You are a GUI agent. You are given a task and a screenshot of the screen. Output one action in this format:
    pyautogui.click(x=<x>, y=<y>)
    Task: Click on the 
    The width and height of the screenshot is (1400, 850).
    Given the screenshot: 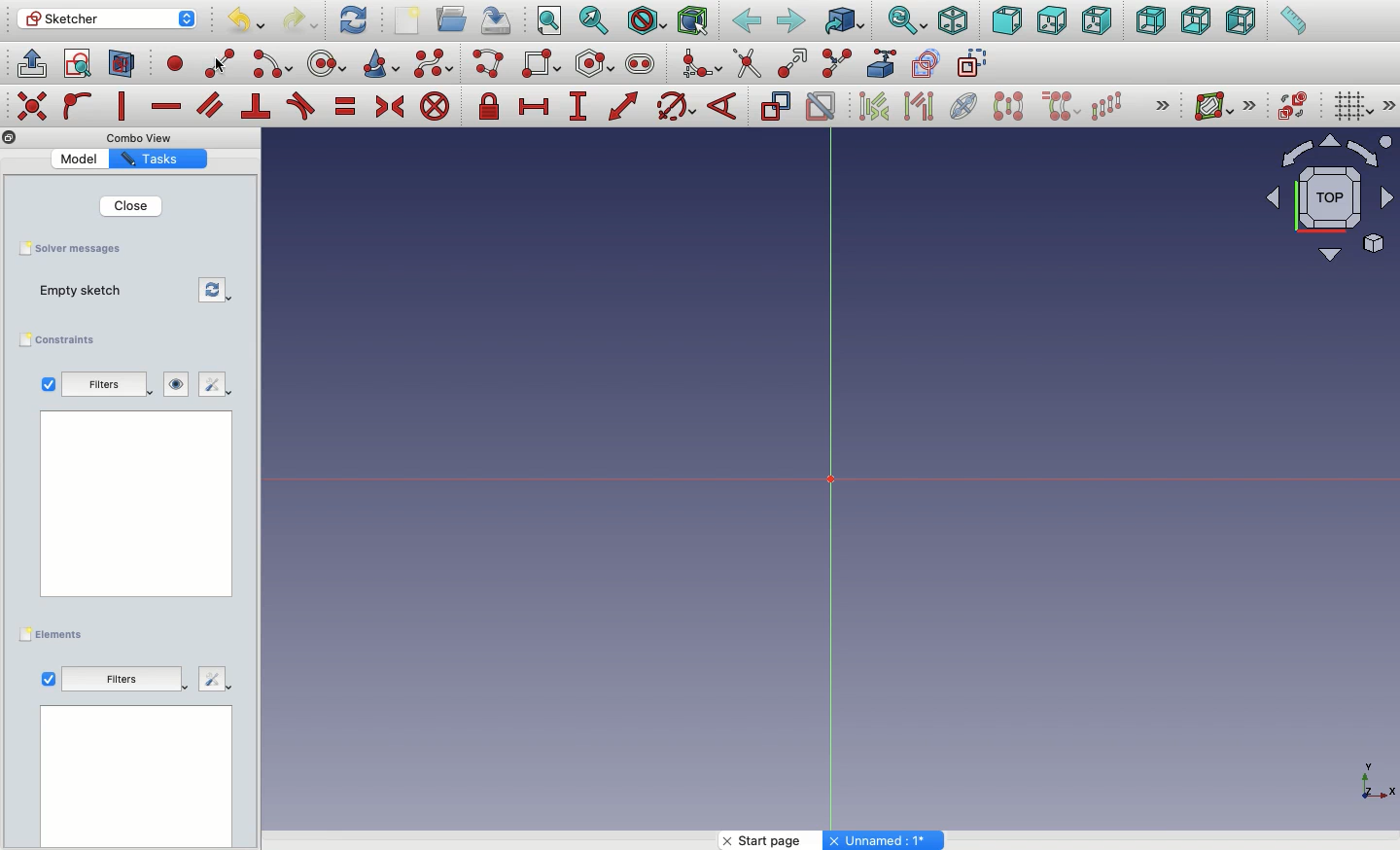 What is the action you would take?
    pyautogui.click(x=1159, y=104)
    